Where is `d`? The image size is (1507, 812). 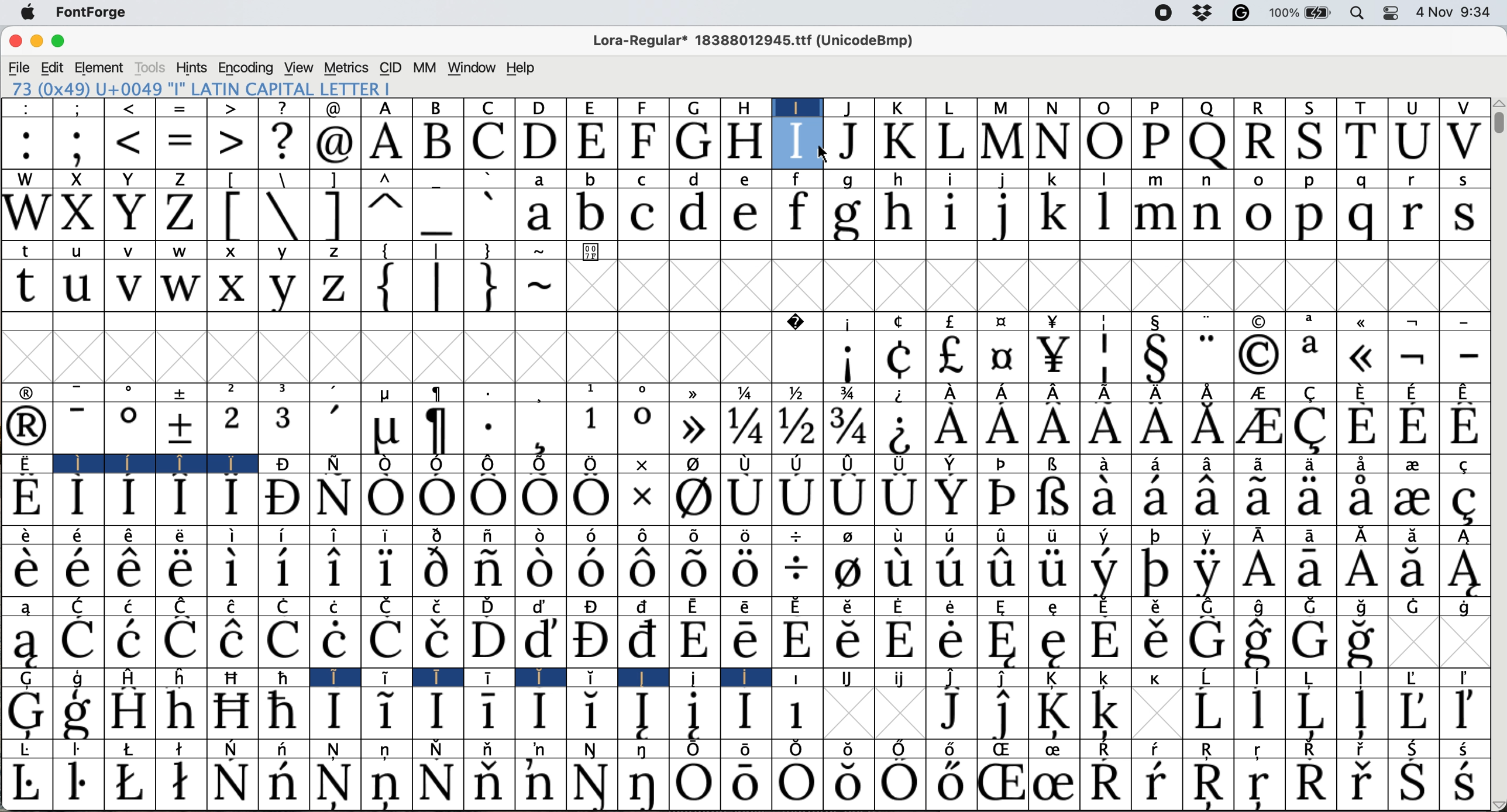 d is located at coordinates (696, 215).